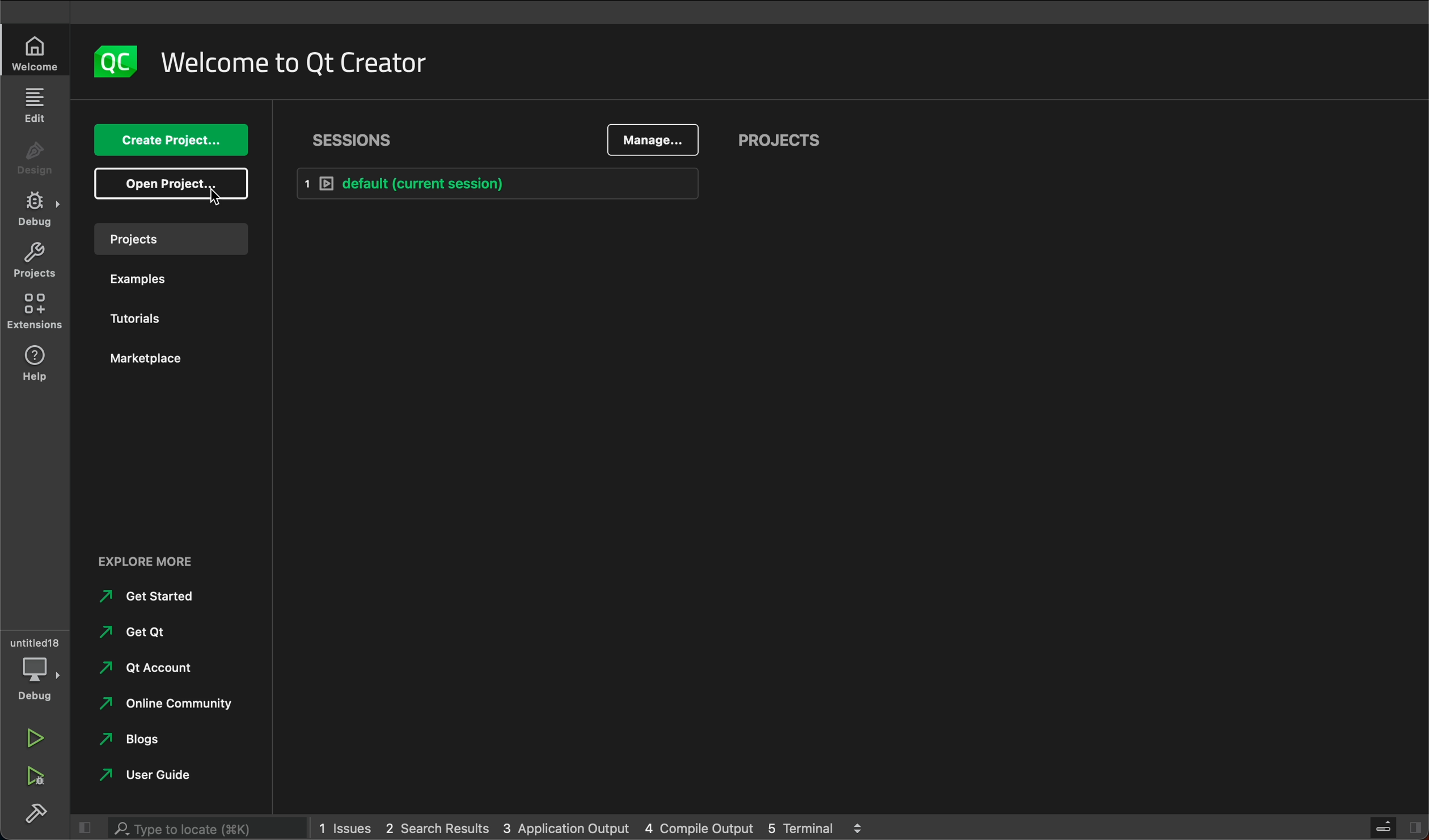  Describe the element at coordinates (174, 138) in the screenshot. I see `create project` at that location.